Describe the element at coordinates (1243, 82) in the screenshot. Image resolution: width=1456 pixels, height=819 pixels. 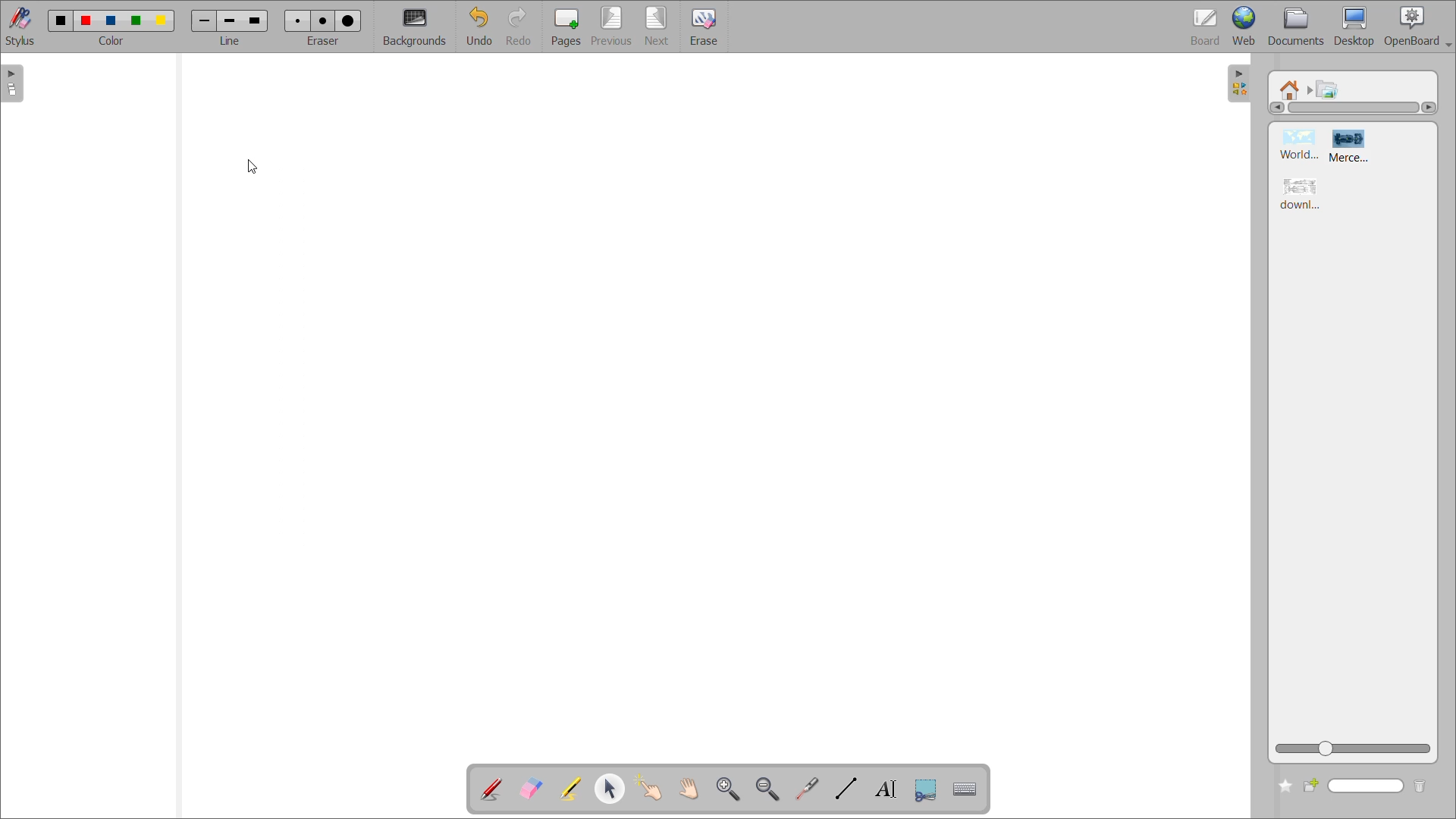
I see `collapse` at that location.